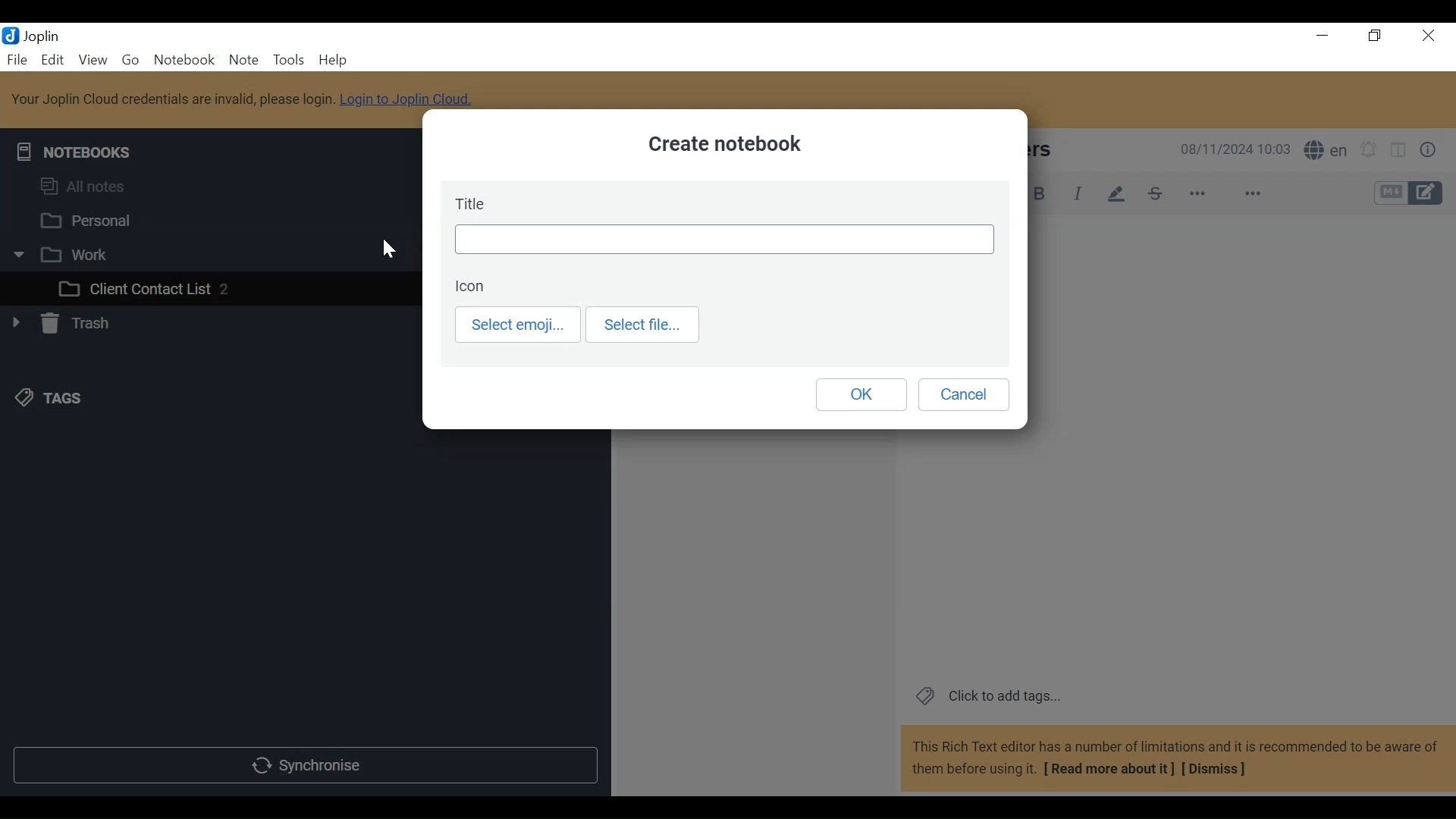  Describe the element at coordinates (54, 60) in the screenshot. I see `` at that location.